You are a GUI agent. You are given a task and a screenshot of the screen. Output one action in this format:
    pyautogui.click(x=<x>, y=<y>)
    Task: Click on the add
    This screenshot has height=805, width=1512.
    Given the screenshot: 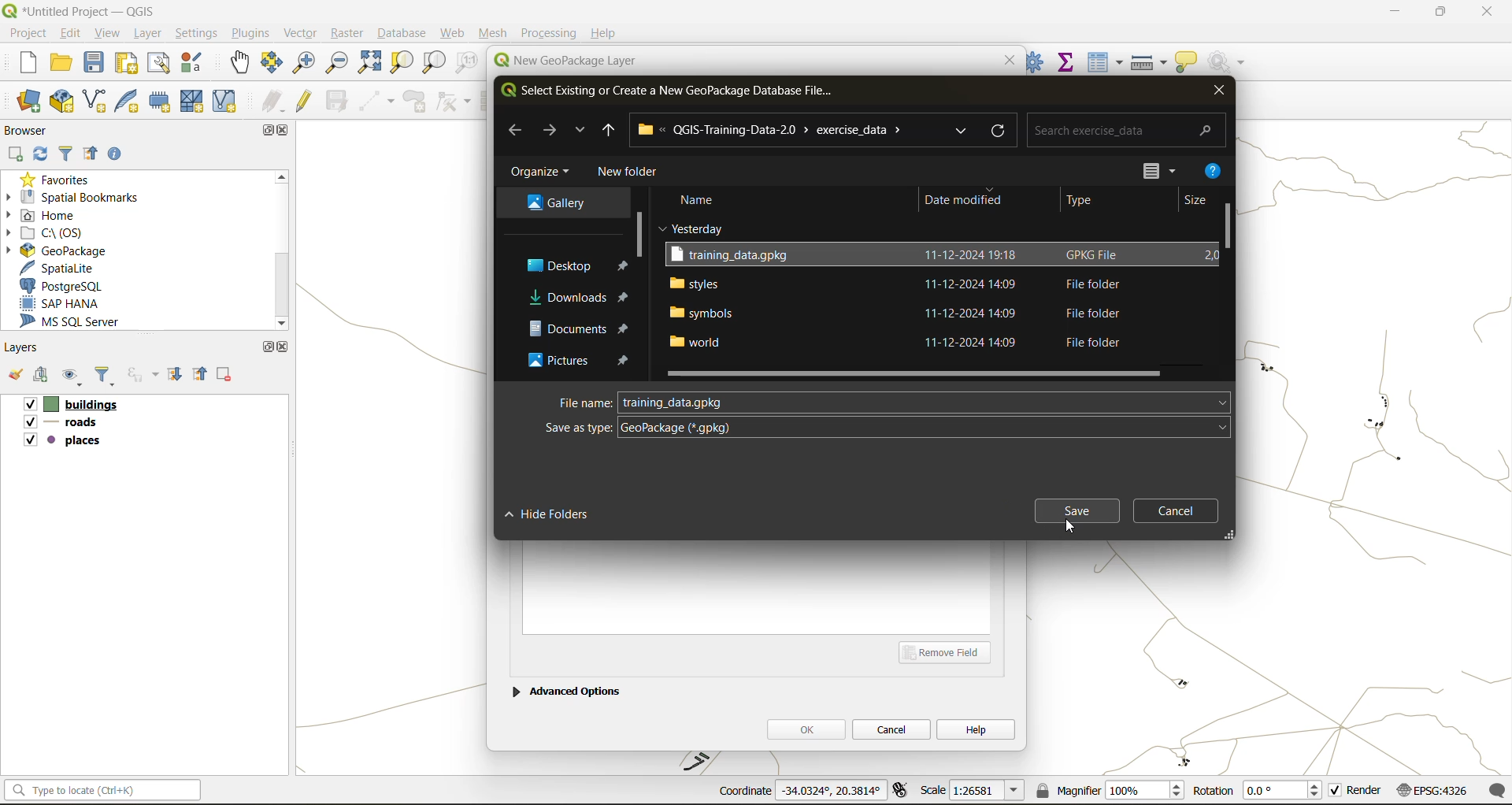 What is the action you would take?
    pyautogui.click(x=17, y=154)
    